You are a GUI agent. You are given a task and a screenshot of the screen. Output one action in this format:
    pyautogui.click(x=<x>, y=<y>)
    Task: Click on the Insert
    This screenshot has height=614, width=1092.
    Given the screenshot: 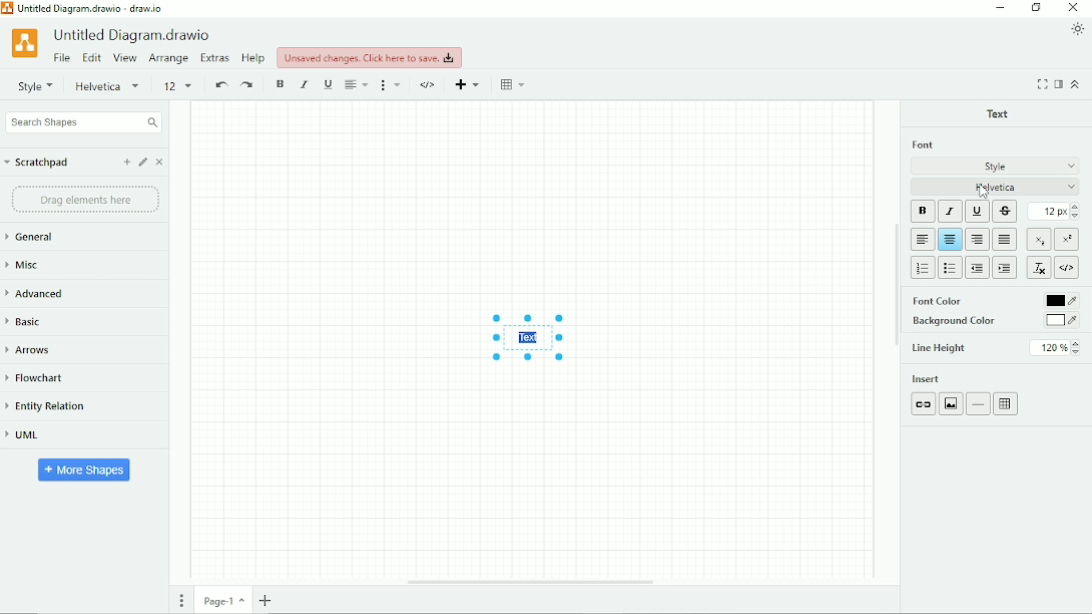 What is the action you would take?
    pyautogui.click(x=928, y=378)
    